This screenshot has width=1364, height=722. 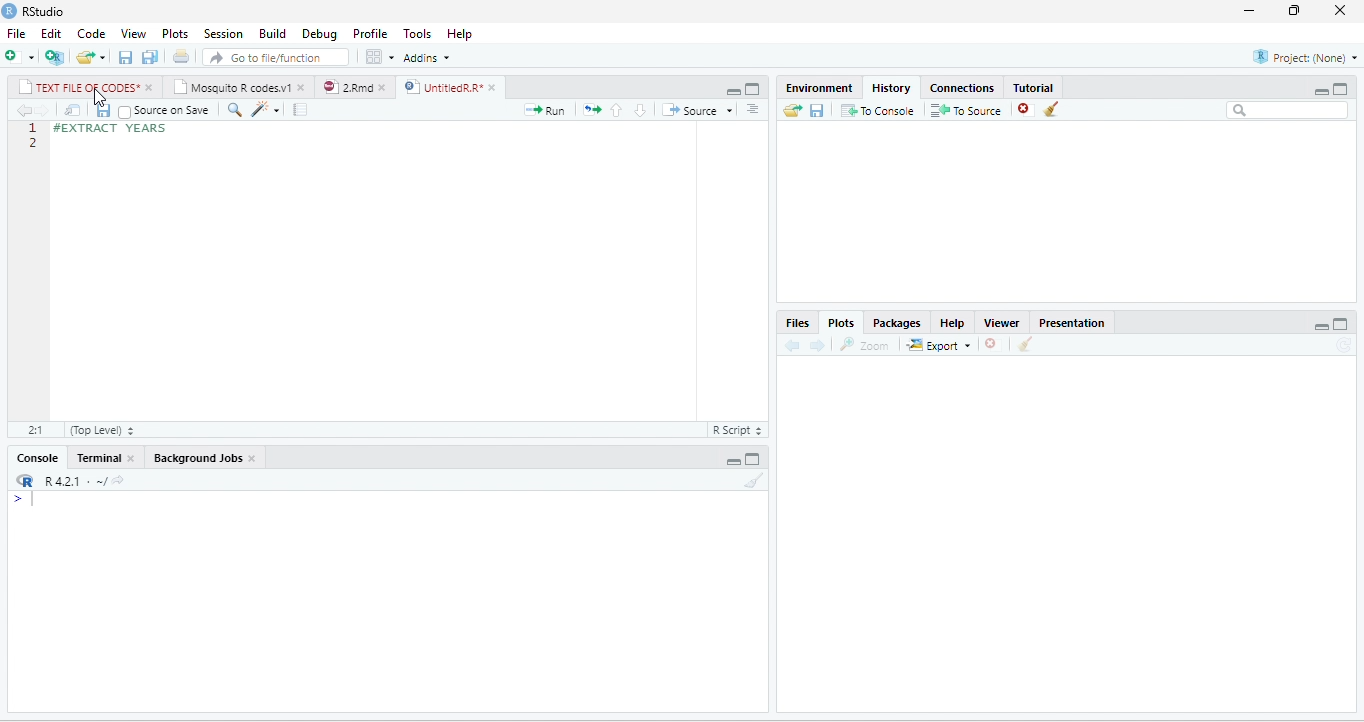 I want to click on 2:1, so click(x=35, y=430).